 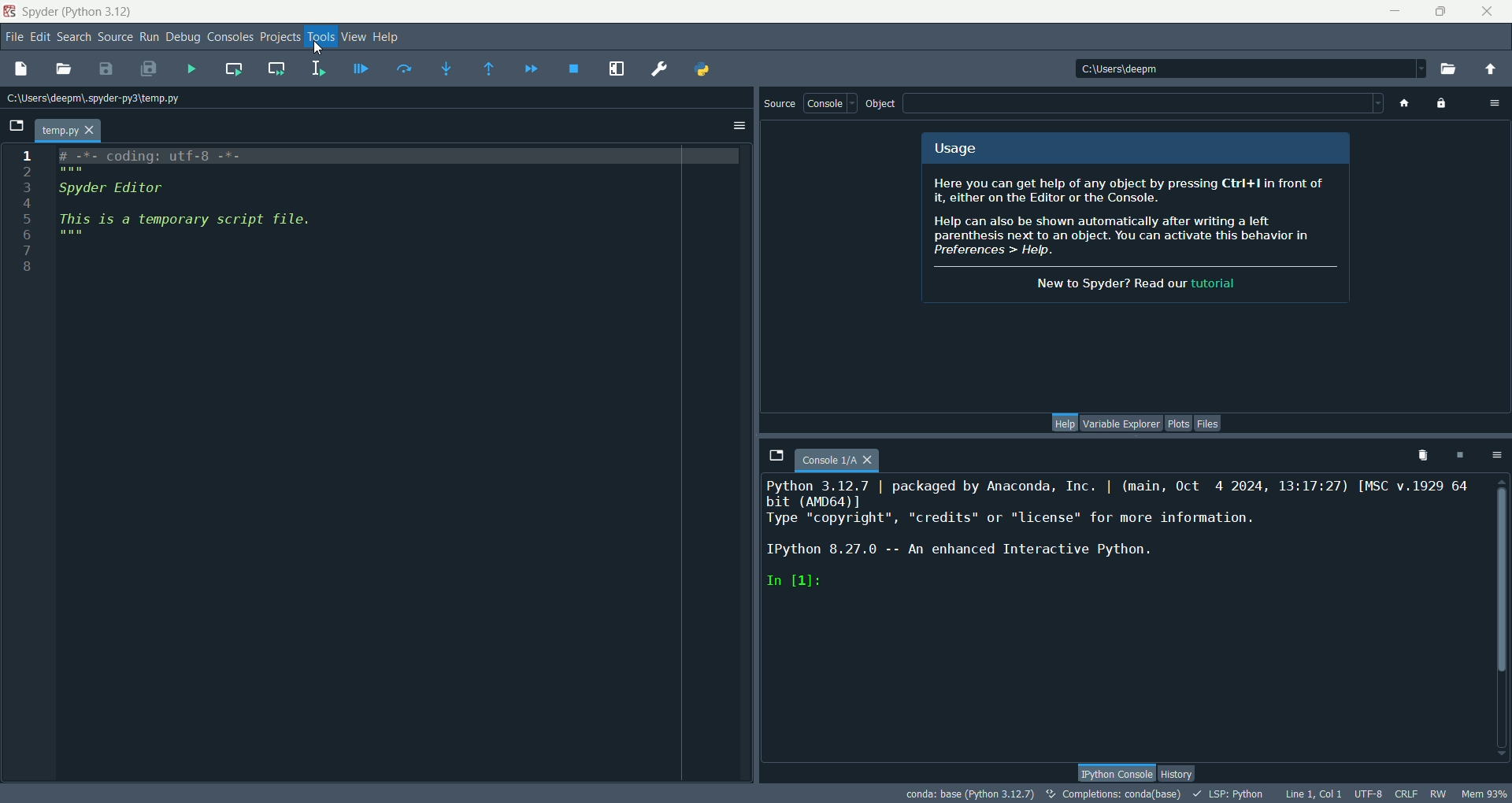 What do you see at coordinates (113, 38) in the screenshot?
I see `source` at bounding box center [113, 38].